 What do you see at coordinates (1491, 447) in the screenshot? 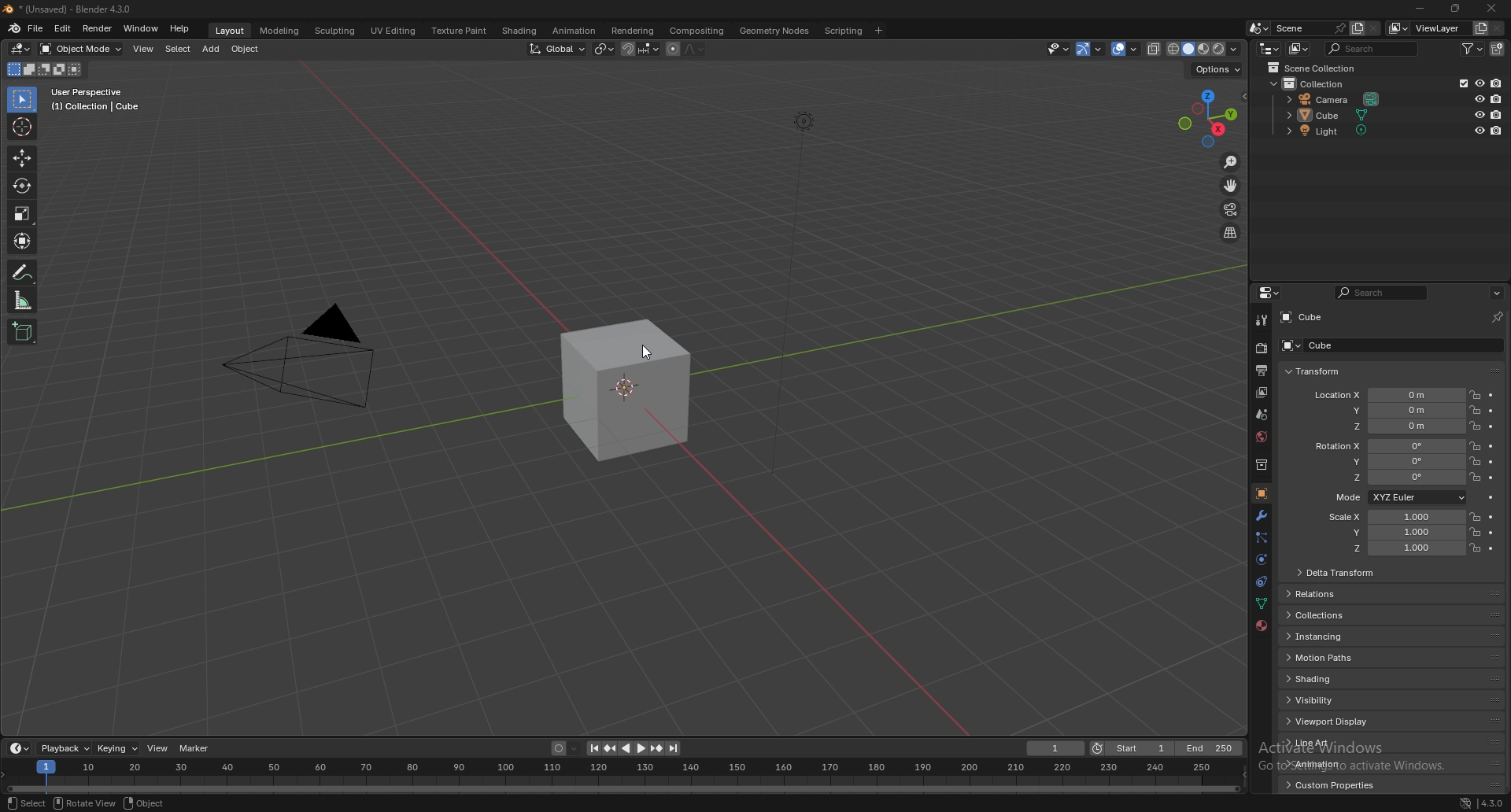
I see `animate property` at bounding box center [1491, 447].